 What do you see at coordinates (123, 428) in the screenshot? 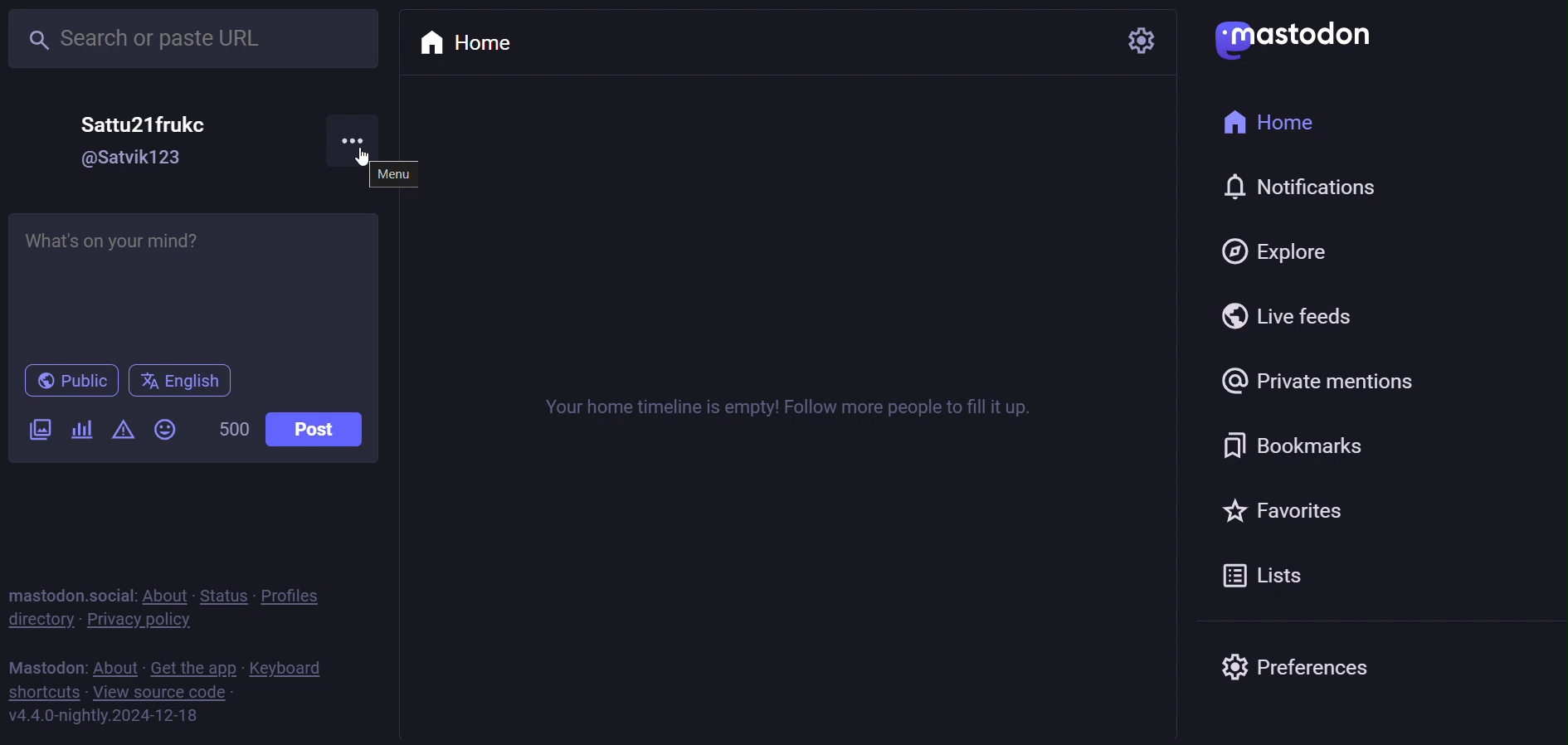
I see `content warning` at bounding box center [123, 428].